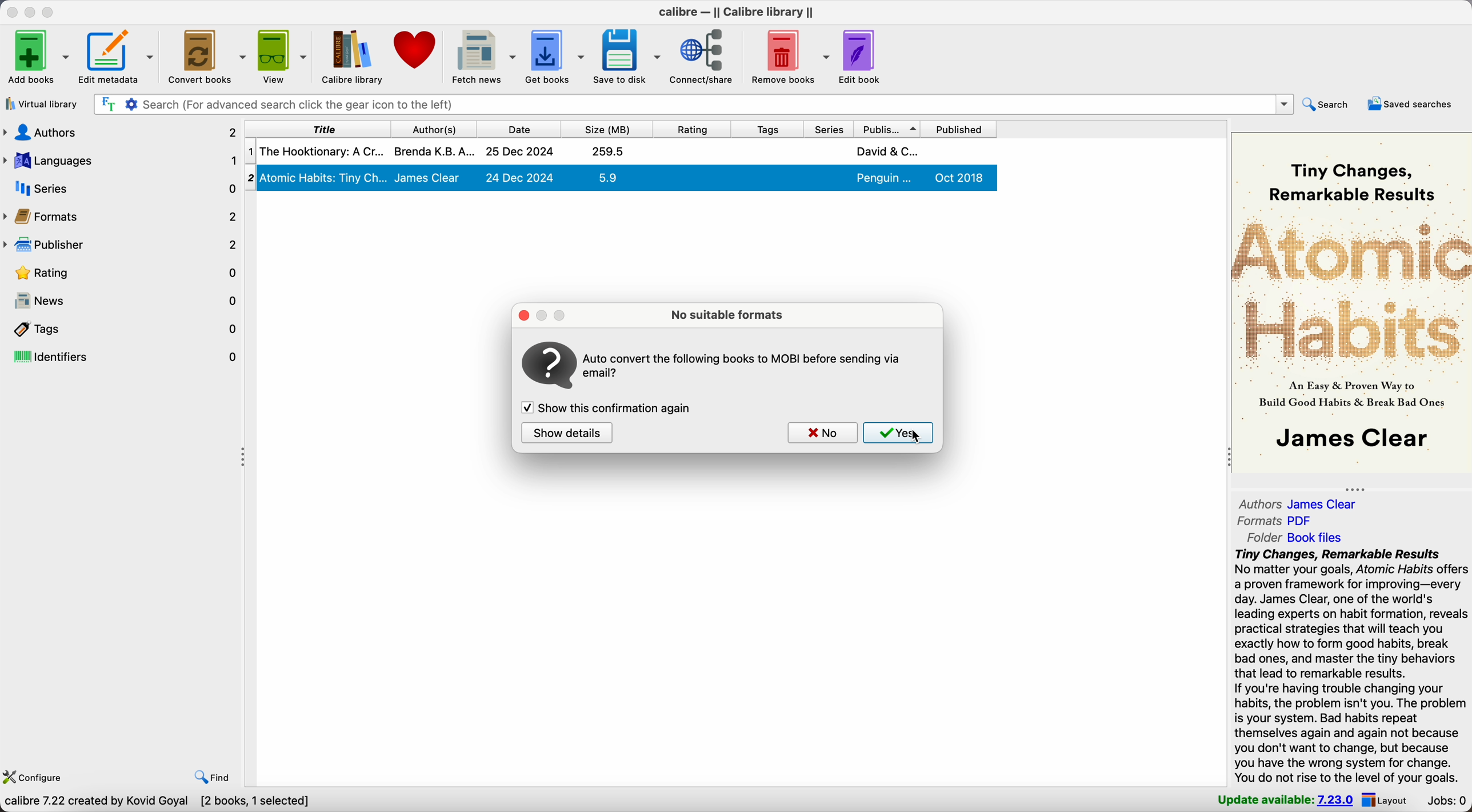 The height and width of the screenshot is (812, 1472). I want to click on edit metadata, so click(119, 58).